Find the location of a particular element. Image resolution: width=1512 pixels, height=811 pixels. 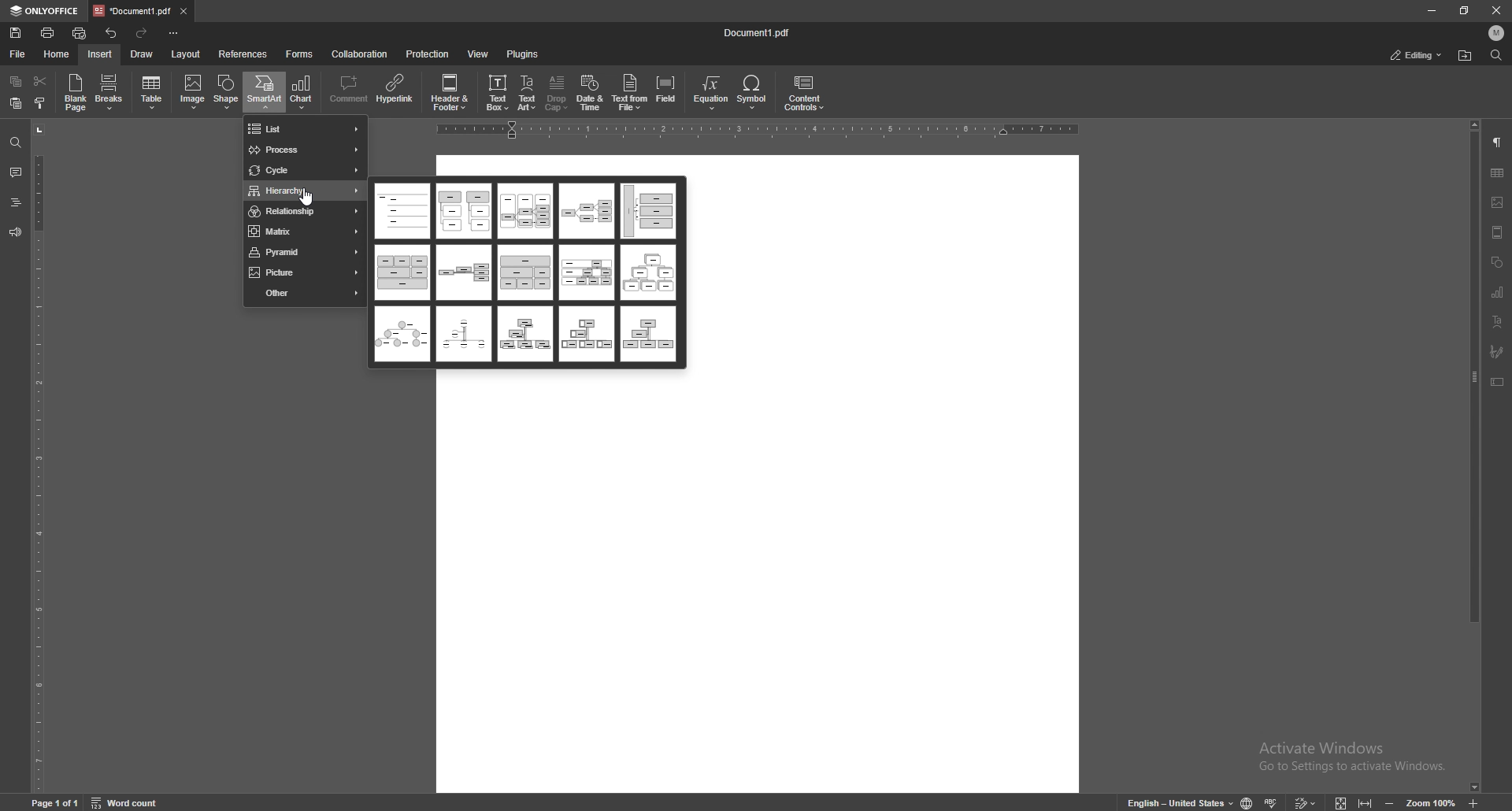

draw is located at coordinates (143, 54).